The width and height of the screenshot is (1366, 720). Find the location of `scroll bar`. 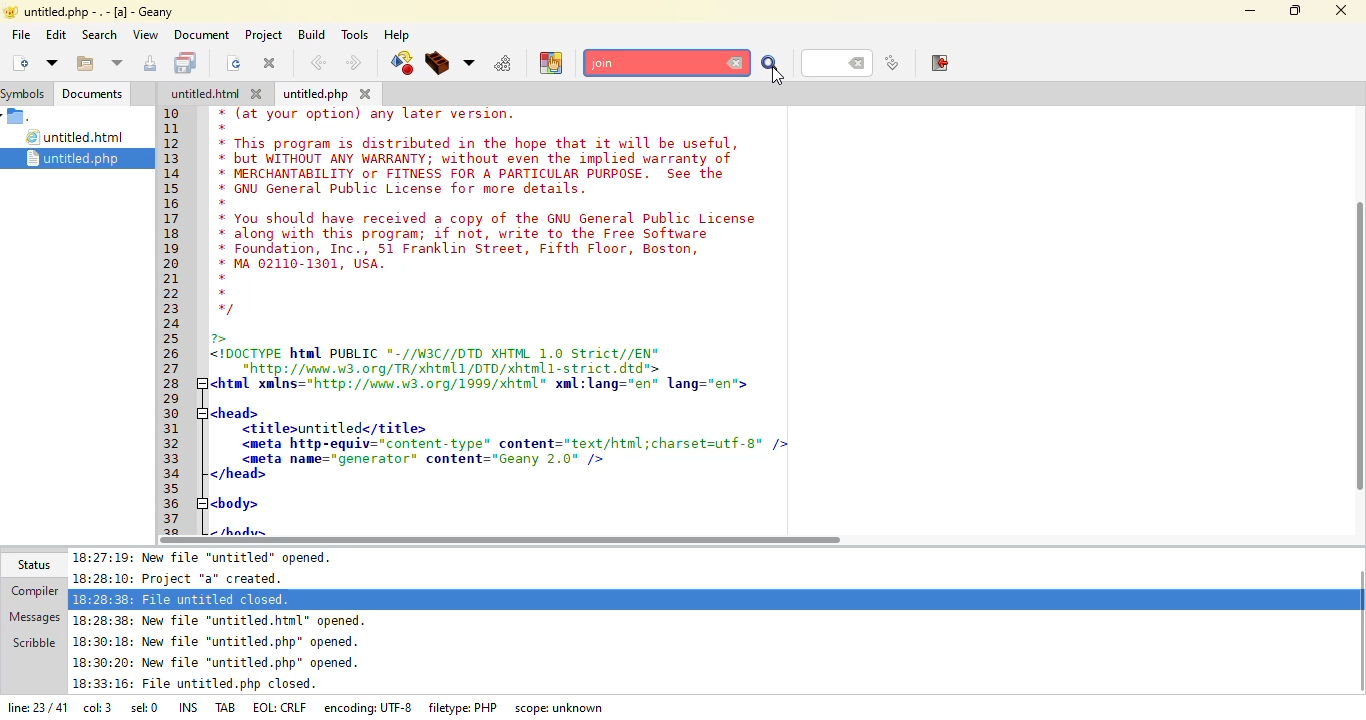

scroll bar is located at coordinates (1362, 338).